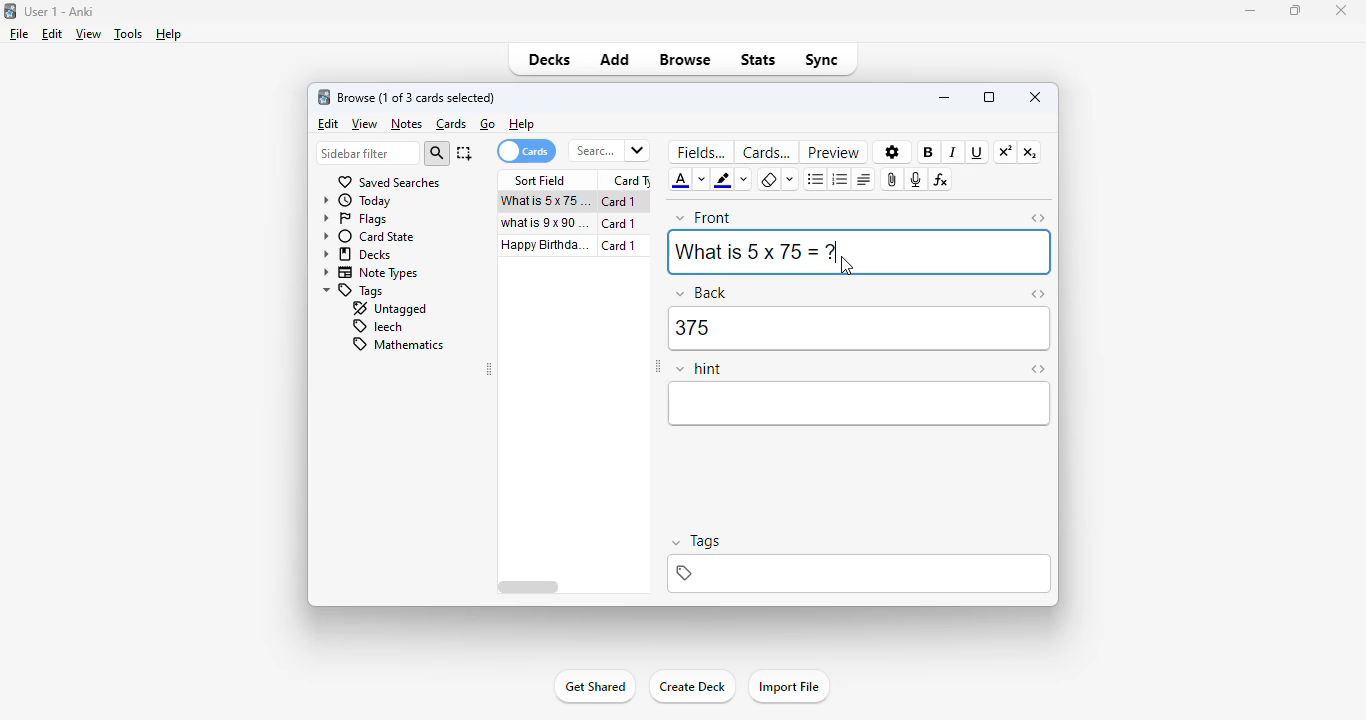  What do you see at coordinates (354, 292) in the screenshot?
I see `tags` at bounding box center [354, 292].